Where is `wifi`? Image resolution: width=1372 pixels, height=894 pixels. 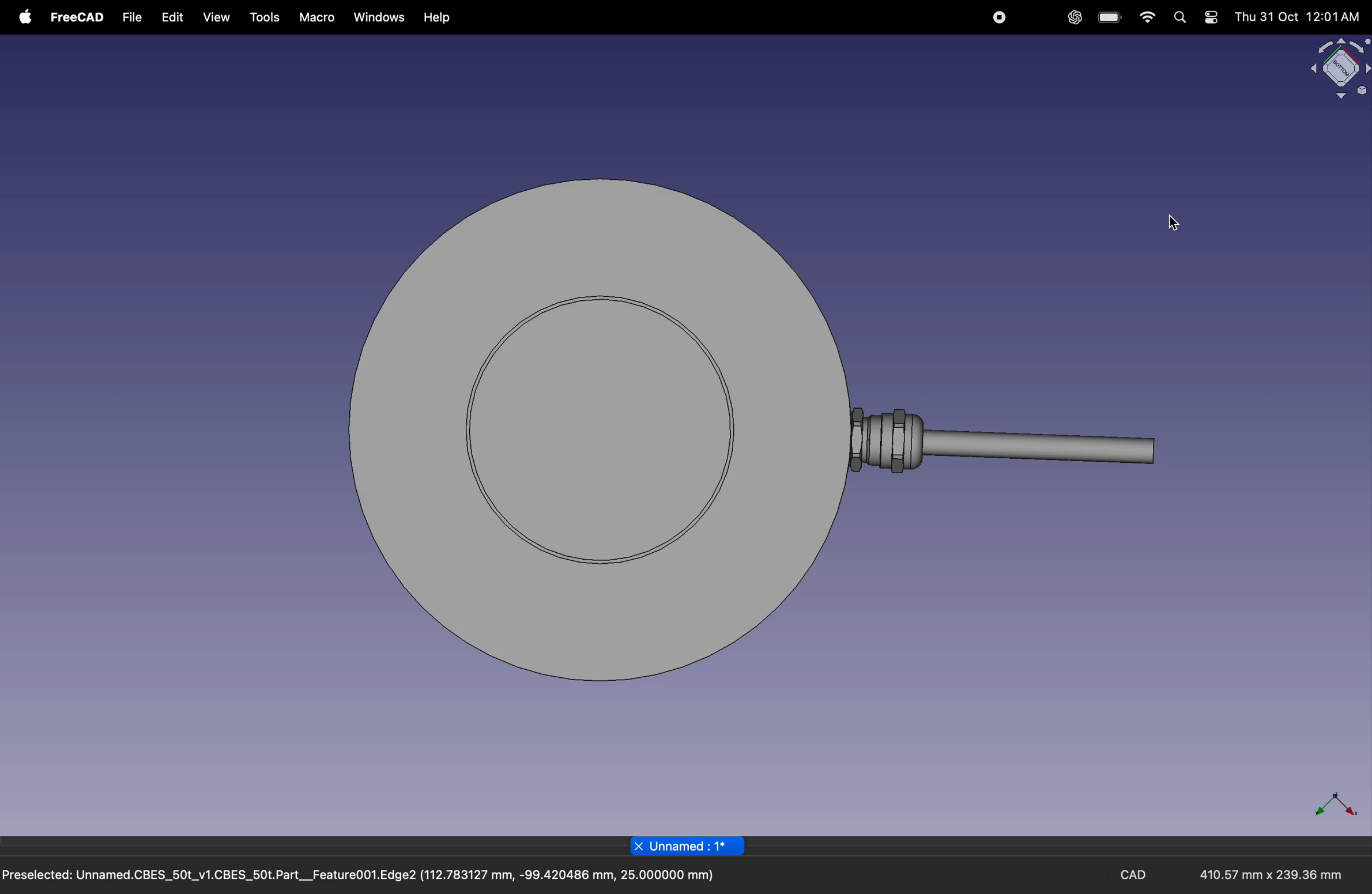 wifi is located at coordinates (1147, 18).